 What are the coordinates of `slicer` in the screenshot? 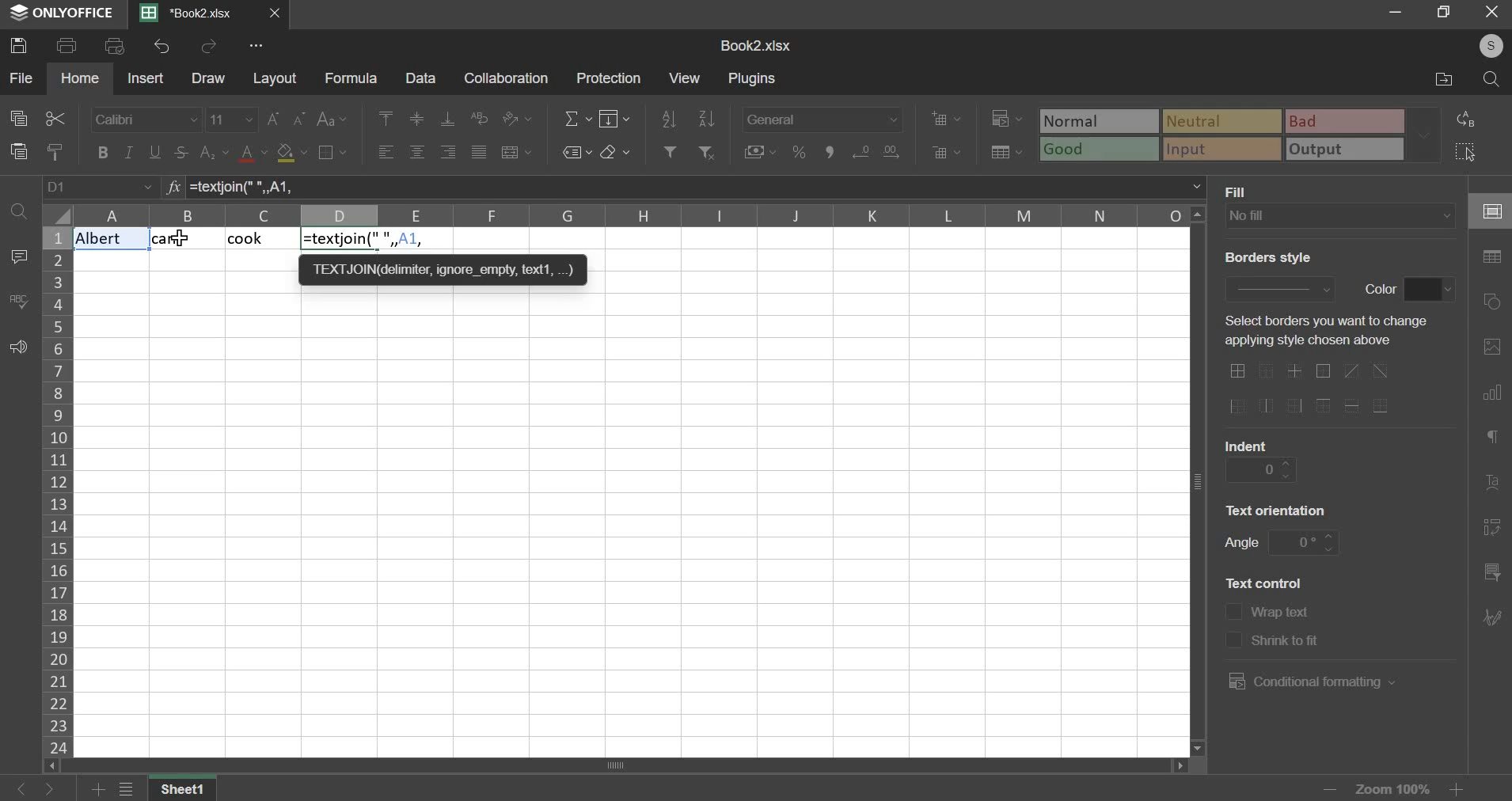 It's located at (1490, 575).